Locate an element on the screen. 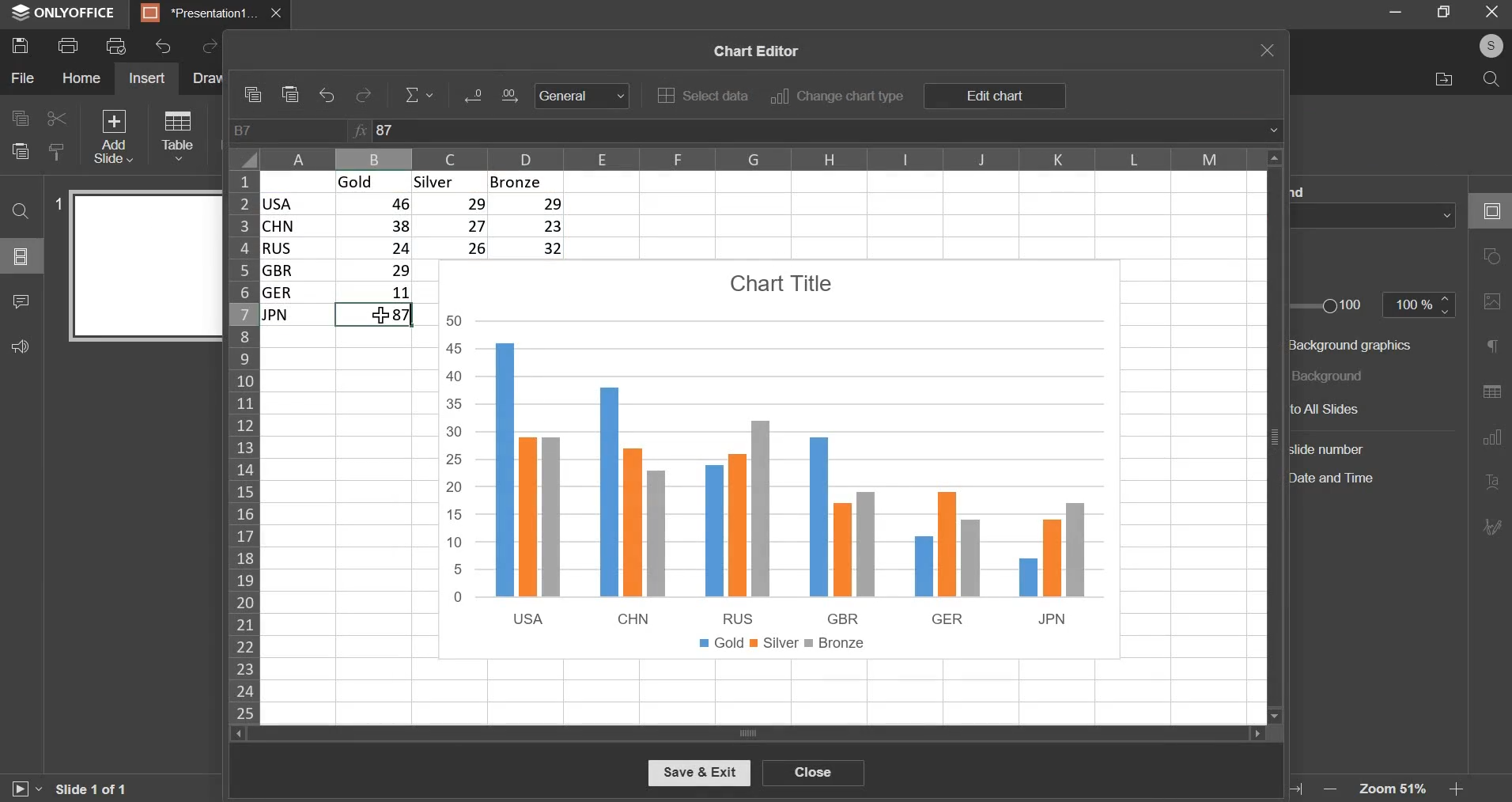  date and time is located at coordinates (1342, 479).